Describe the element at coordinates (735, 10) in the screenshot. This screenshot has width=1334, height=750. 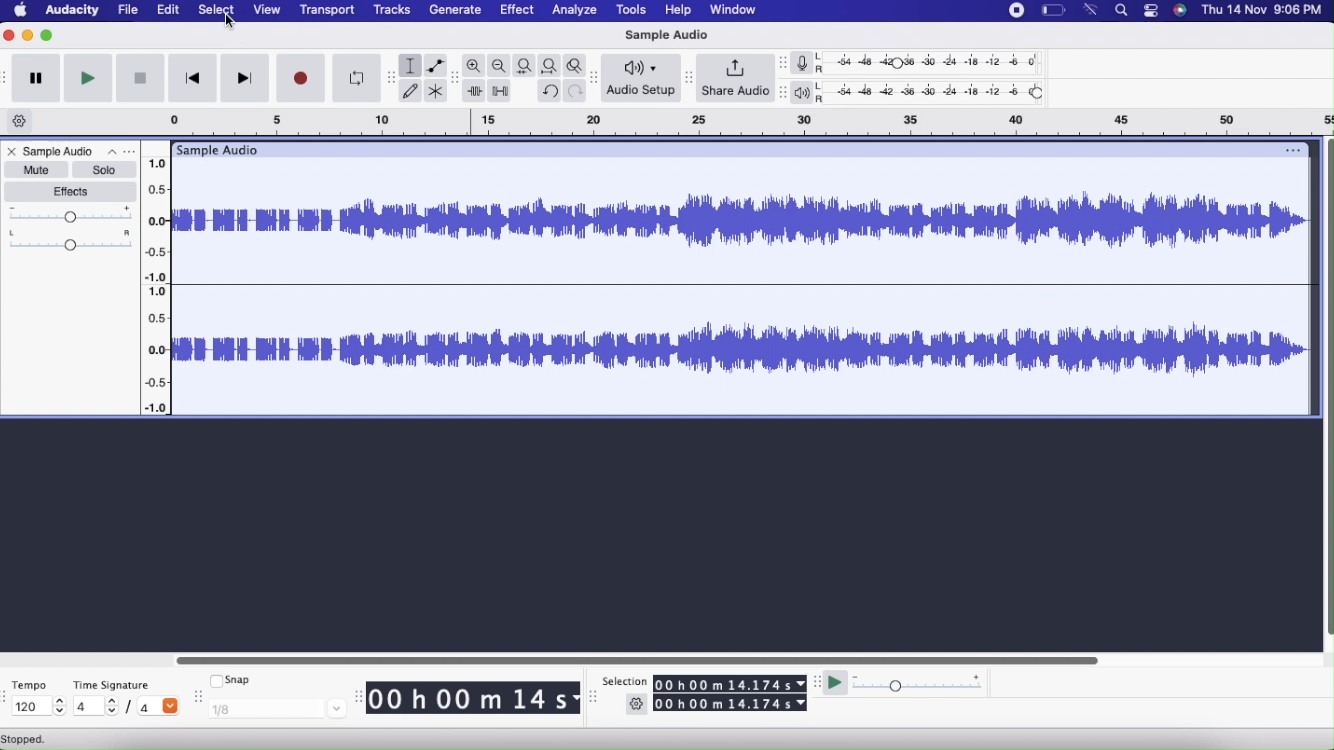
I see `Window` at that location.